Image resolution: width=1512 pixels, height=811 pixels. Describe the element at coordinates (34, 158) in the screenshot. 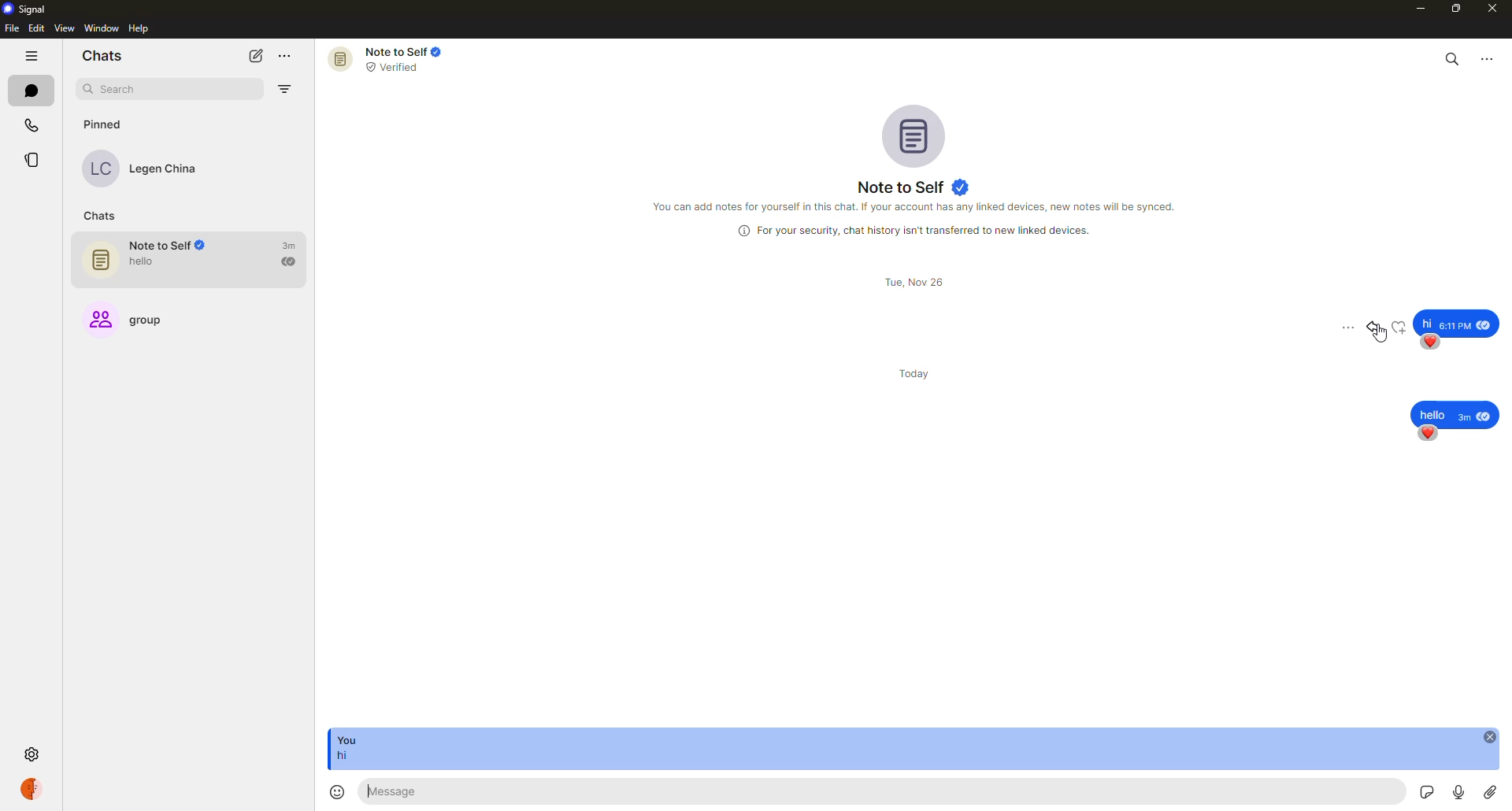

I see `stories` at that location.